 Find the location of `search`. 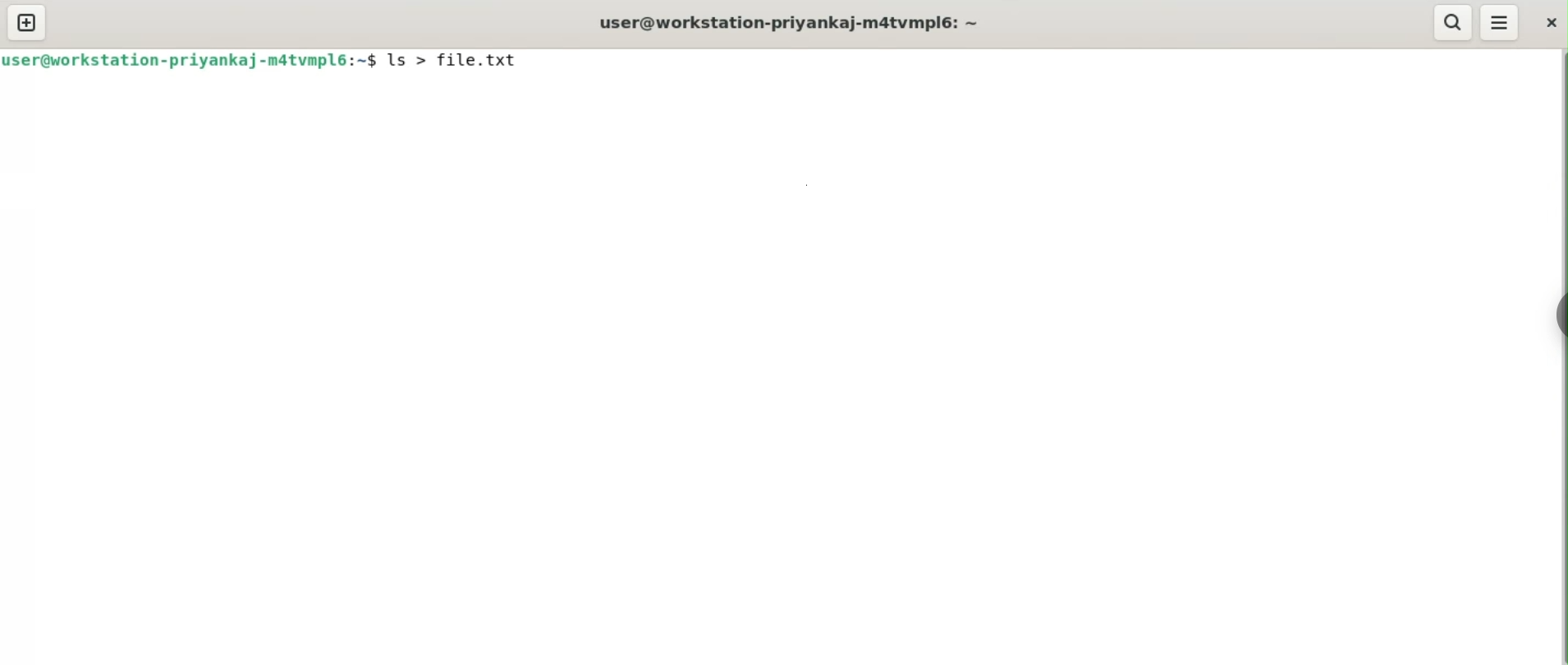

search is located at coordinates (1454, 22).